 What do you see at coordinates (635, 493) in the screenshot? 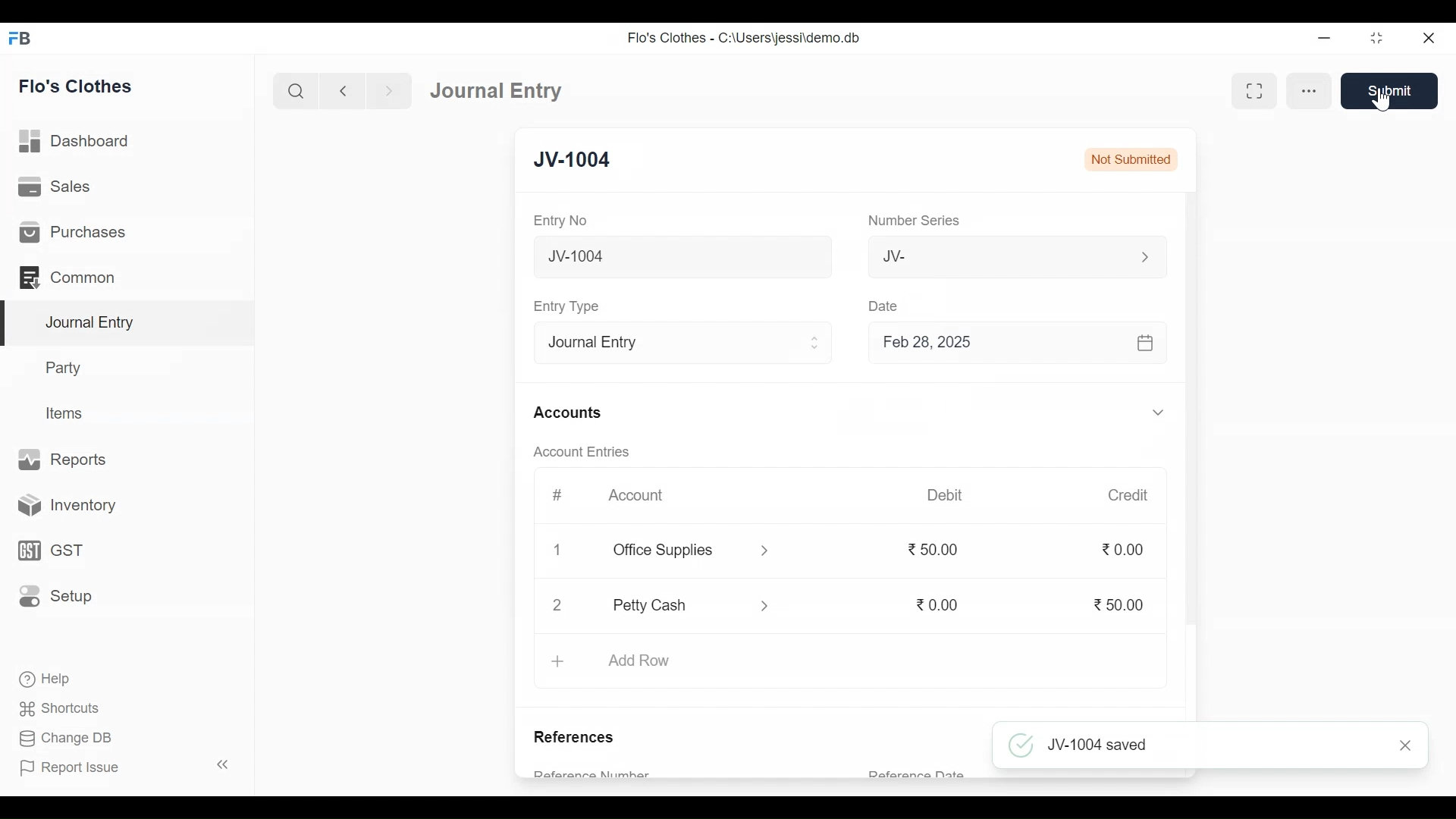
I see `Account` at bounding box center [635, 493].